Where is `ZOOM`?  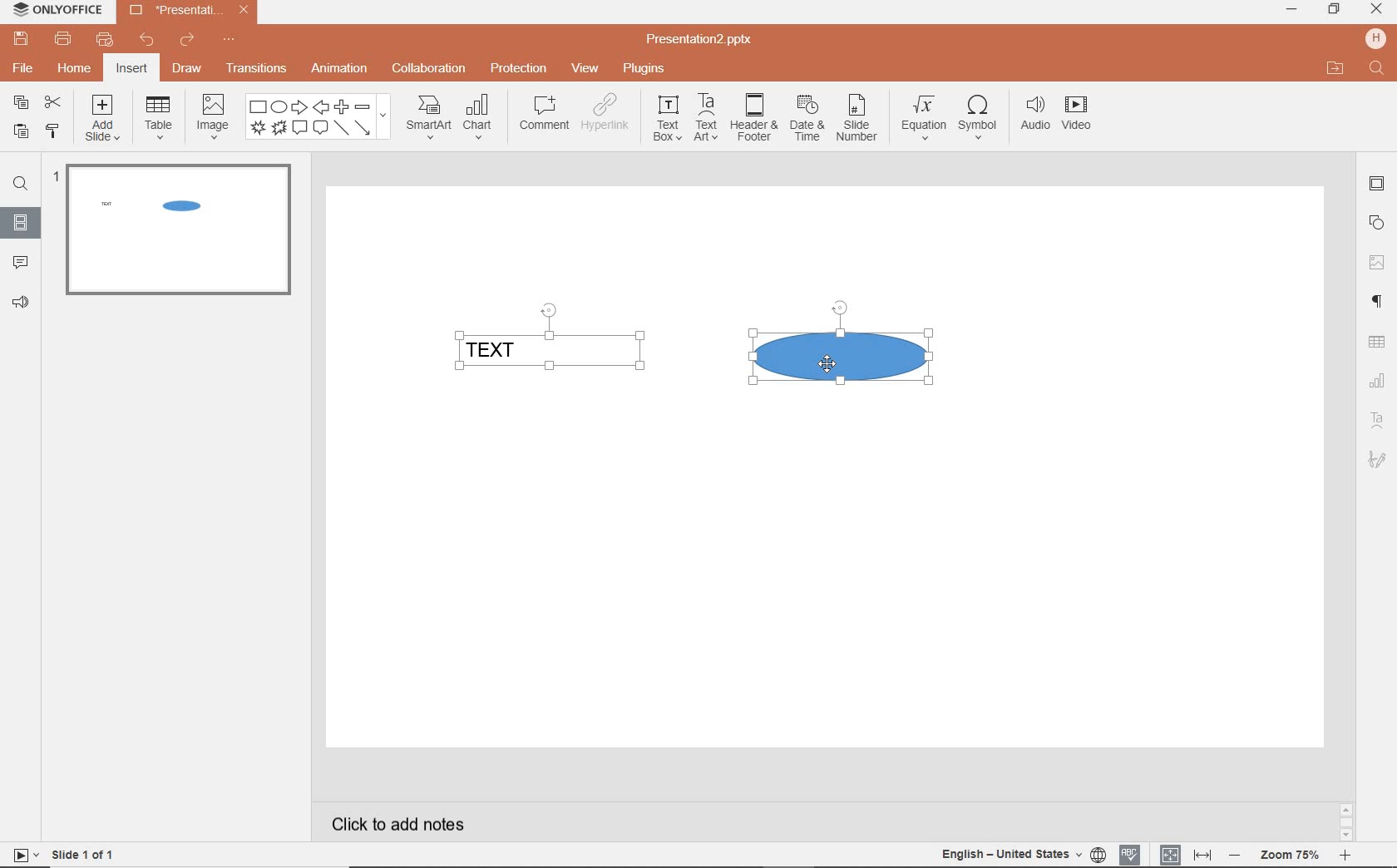 ZOOM is located at coordinates (1289, 857).